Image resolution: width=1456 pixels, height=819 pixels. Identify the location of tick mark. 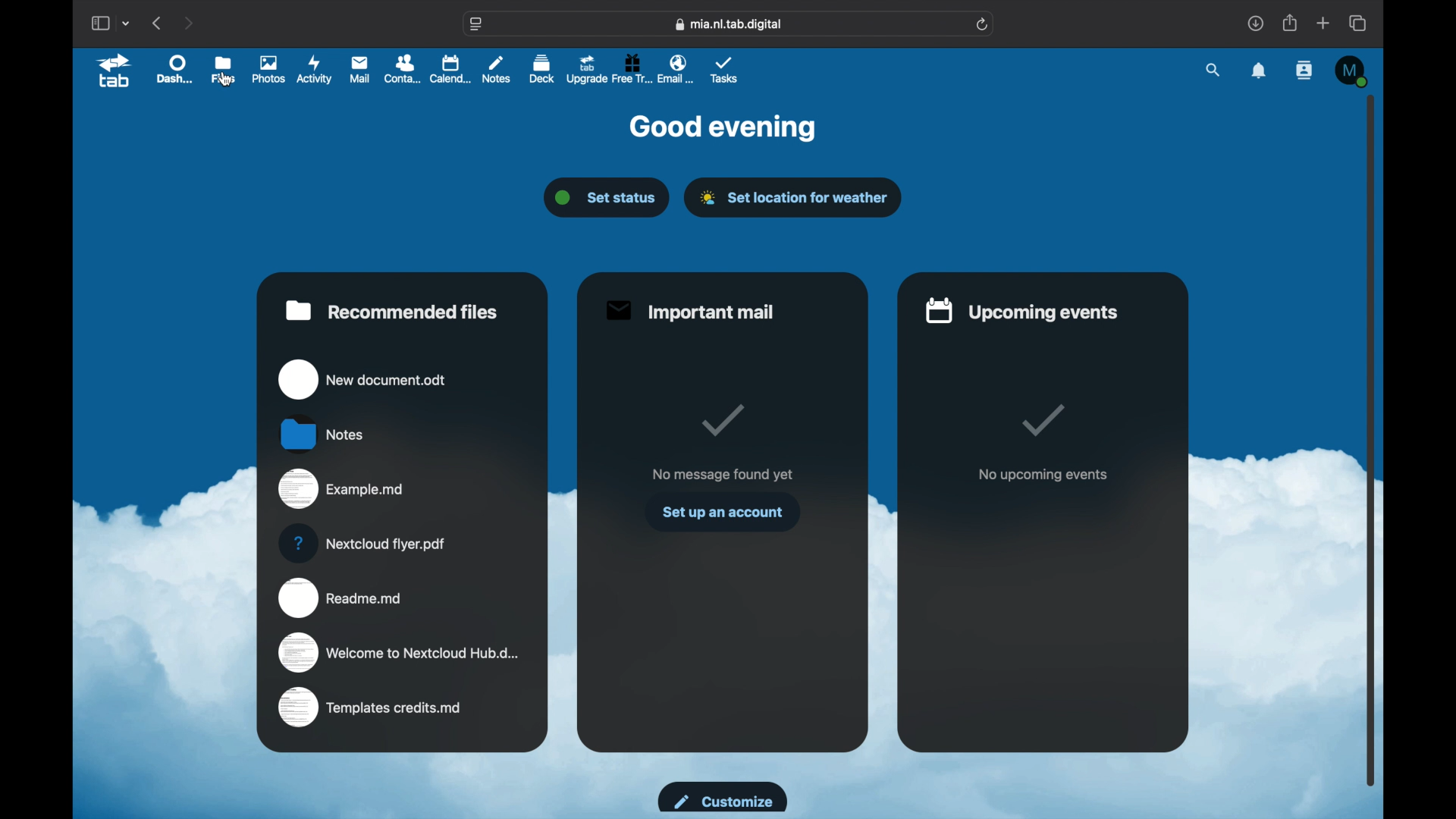
(723, 419).